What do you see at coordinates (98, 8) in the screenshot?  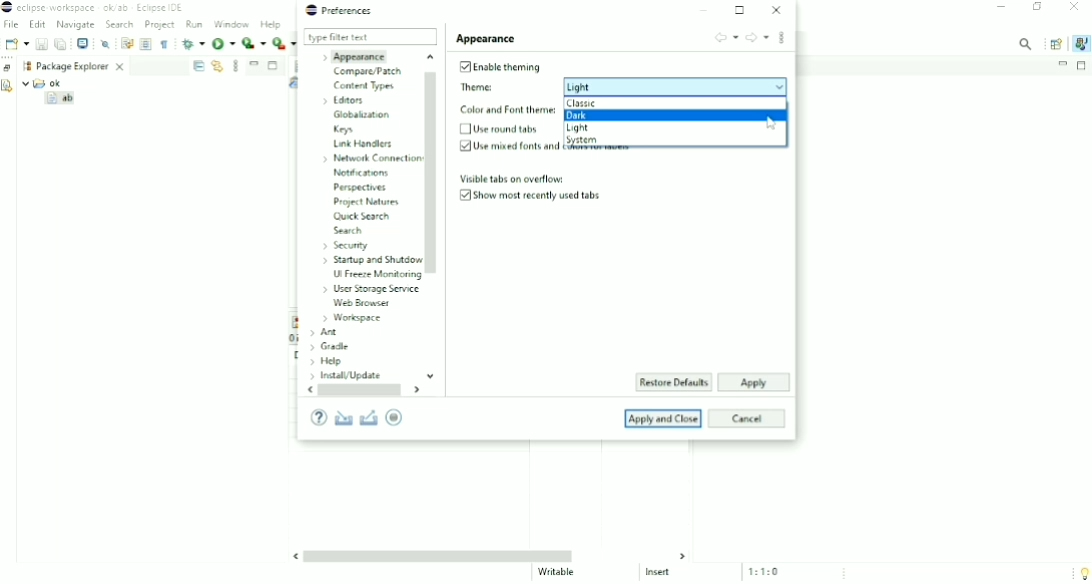 I see `Title` at bounding box center [98, 8].